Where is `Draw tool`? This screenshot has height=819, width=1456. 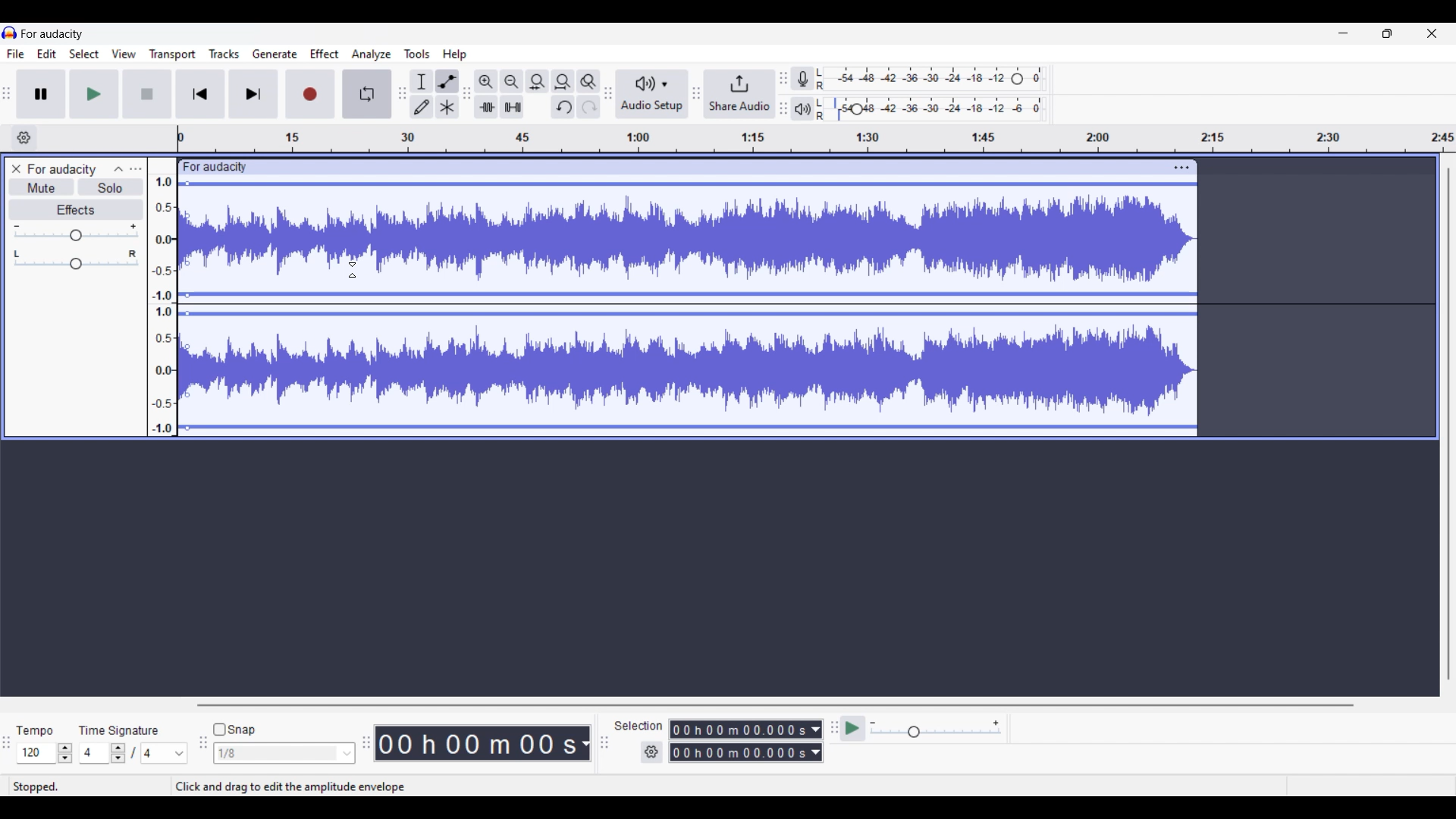 Draw tool is located at coordinates (422, 106).